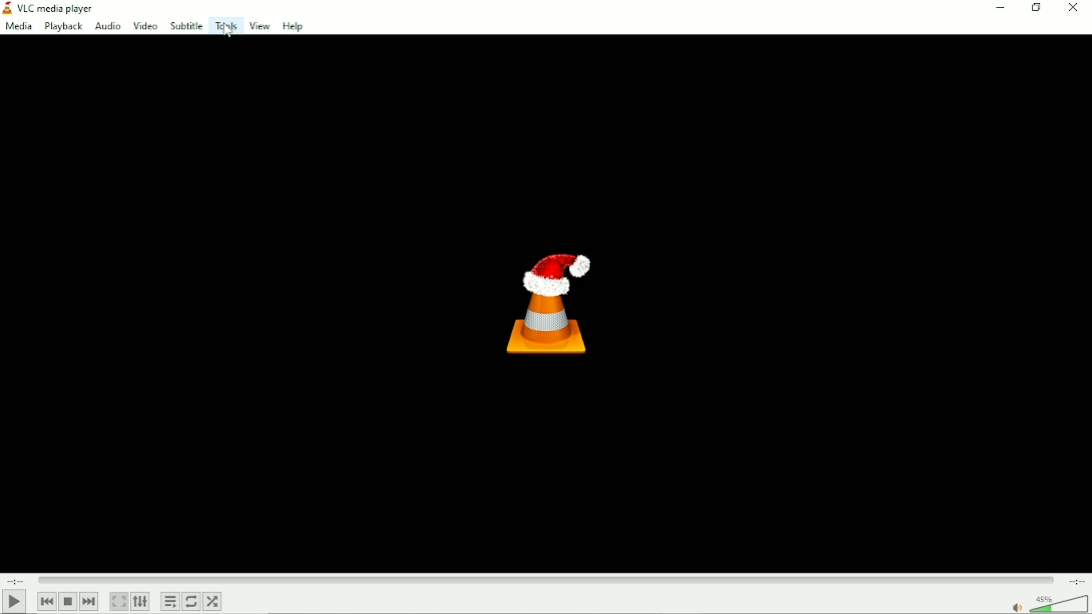  I want to click on Stop playlist, so click(69, 601).